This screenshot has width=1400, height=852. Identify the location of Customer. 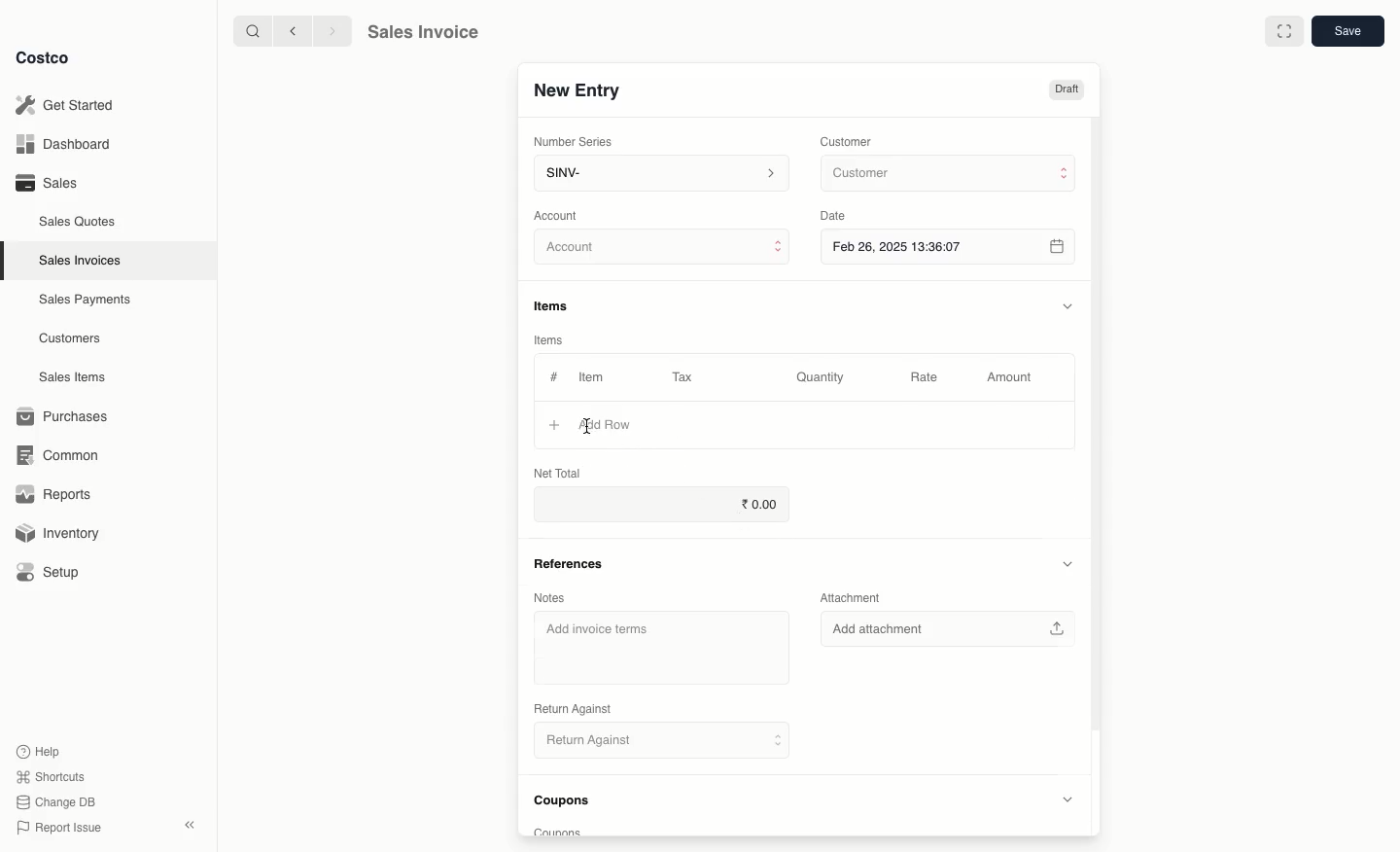
(946, 174).